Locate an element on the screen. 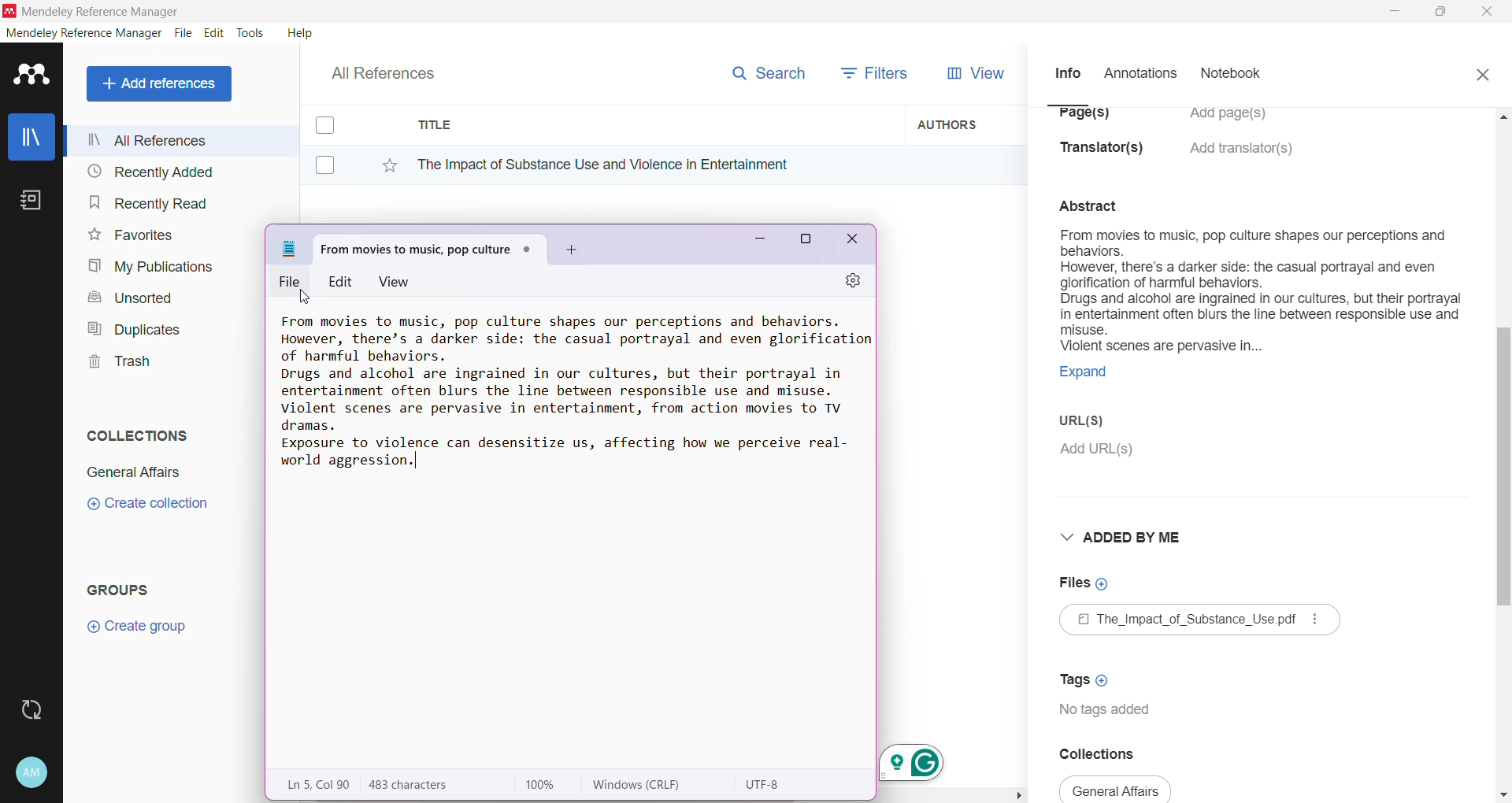 This screenshot has height=803, width=1512. Close is located at coordinates (854, 242).